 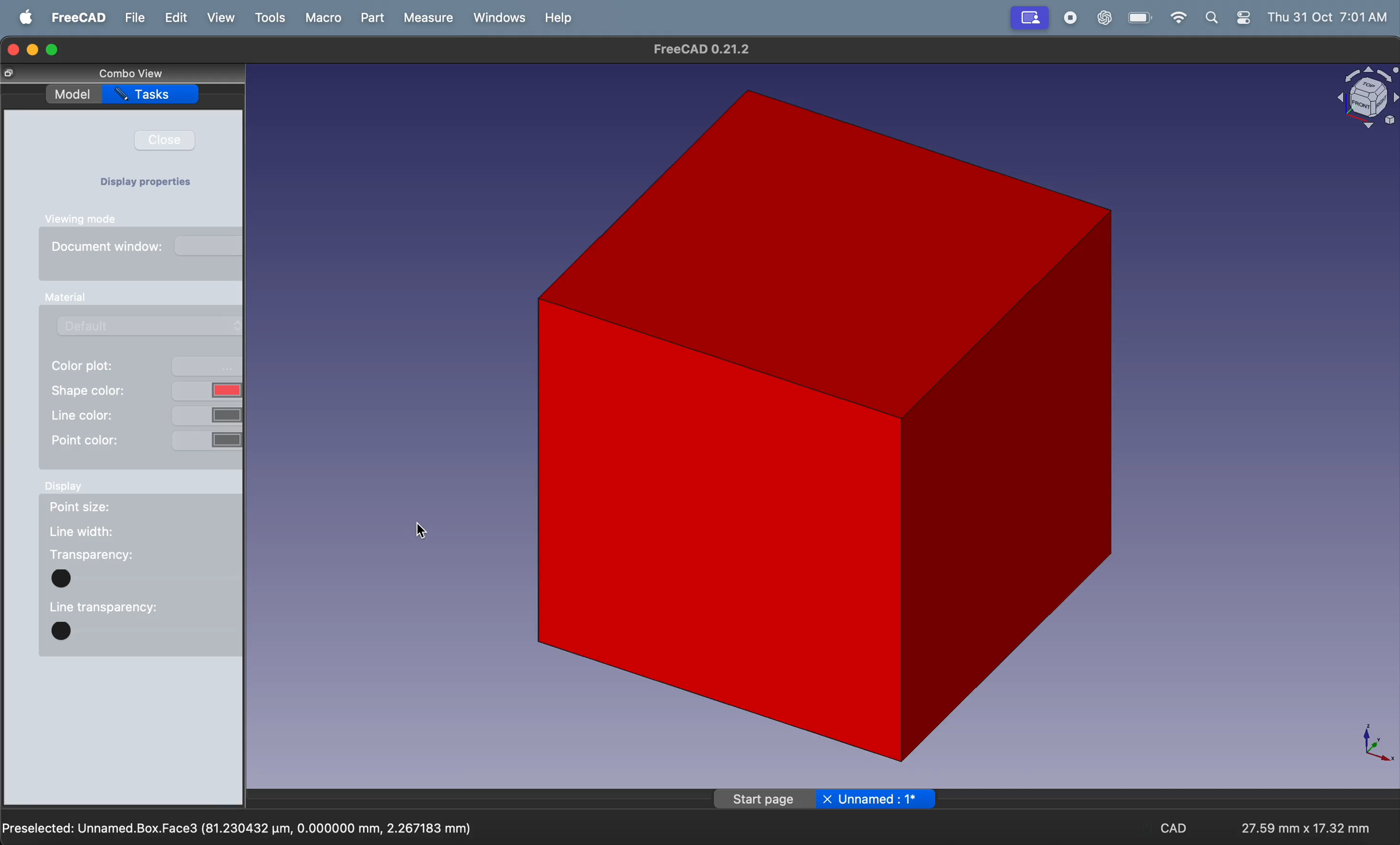 What do you see at coordinates (53, 51) in the screenshot?
I see `maximize` at bounding box center [53, 51].